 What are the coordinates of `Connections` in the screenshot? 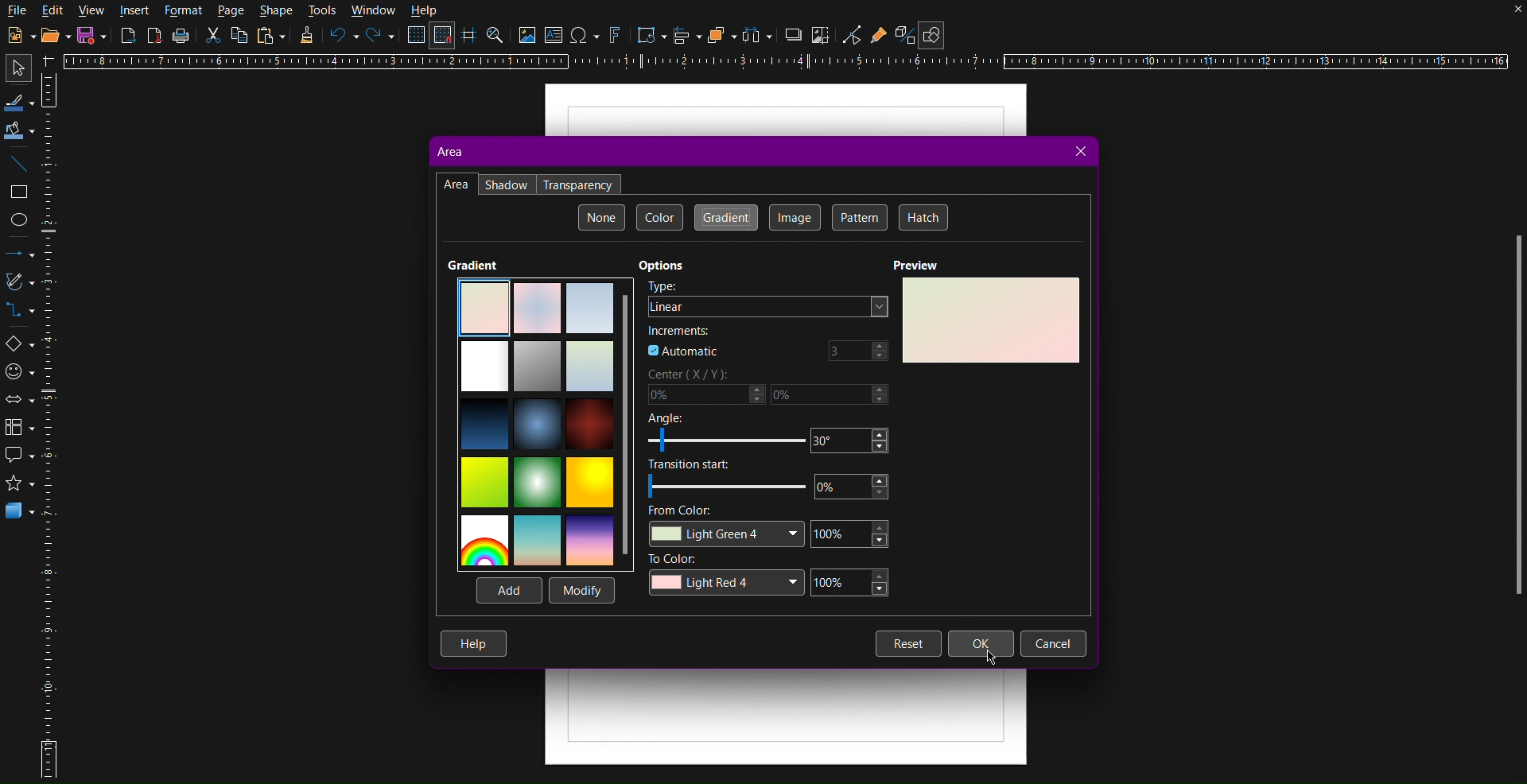 It's located at (17, 312).